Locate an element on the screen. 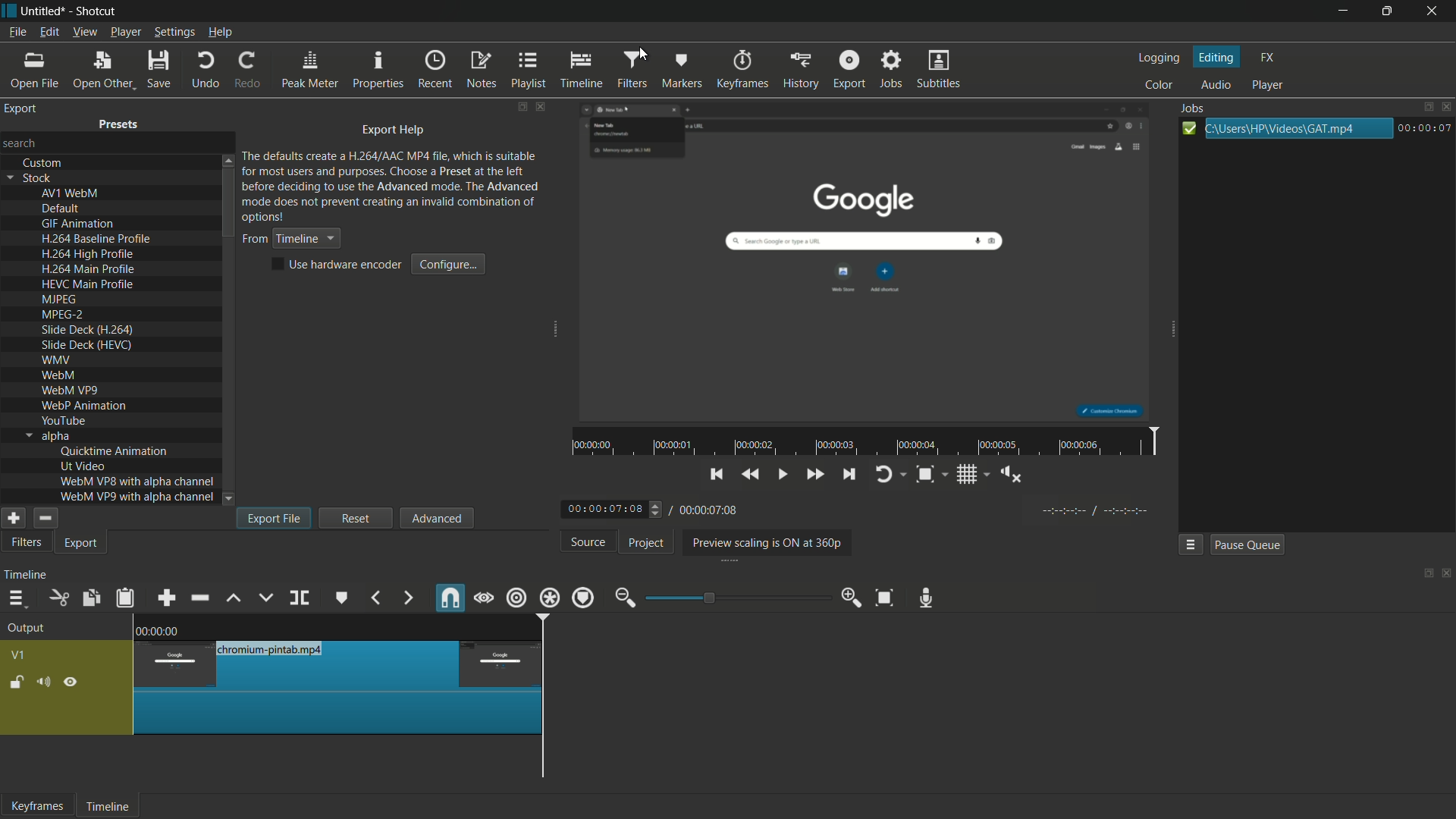  export file is located at coordinates (275, 518).